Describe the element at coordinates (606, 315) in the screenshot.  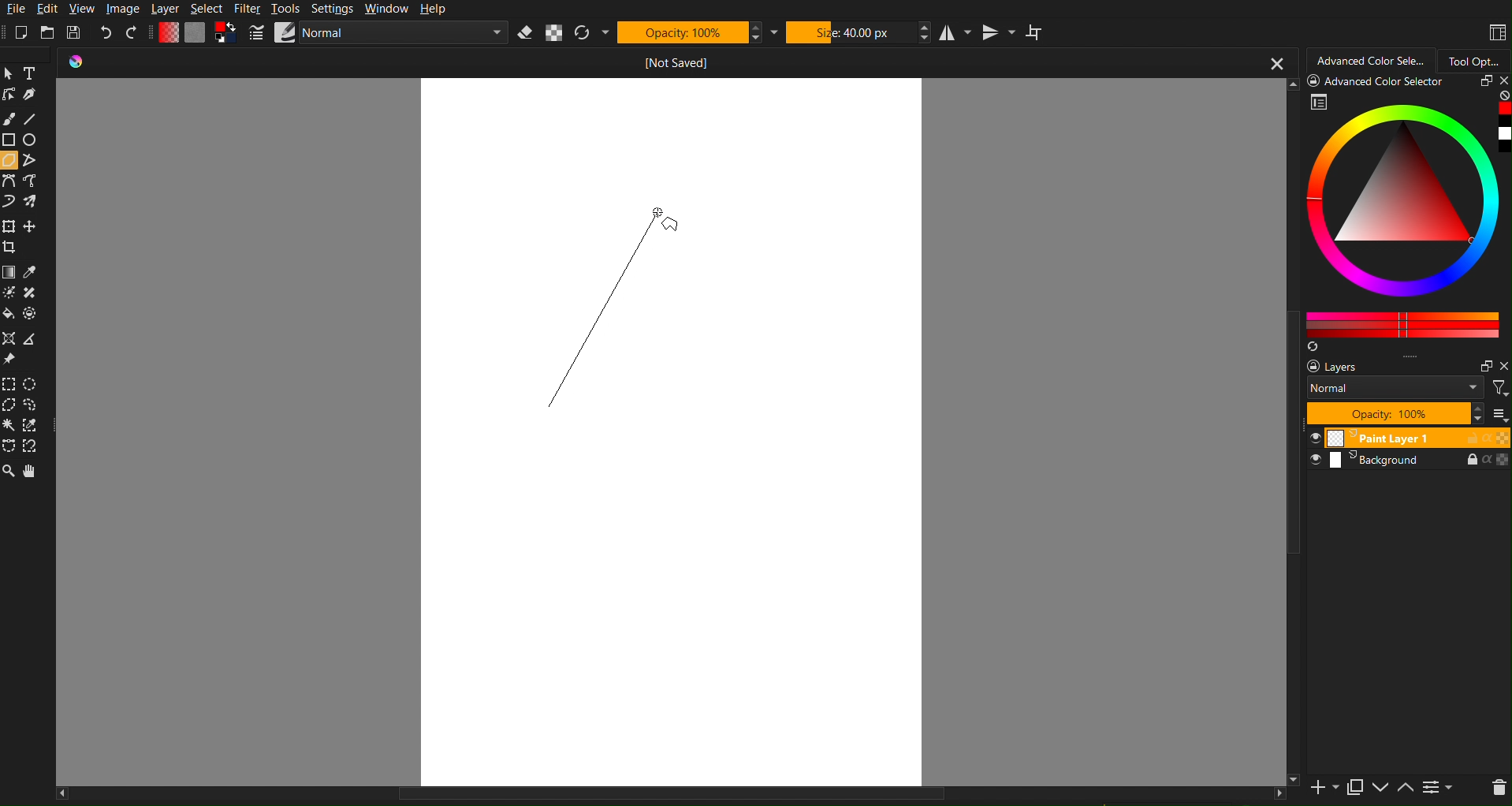
I see `Line 1` at that location.